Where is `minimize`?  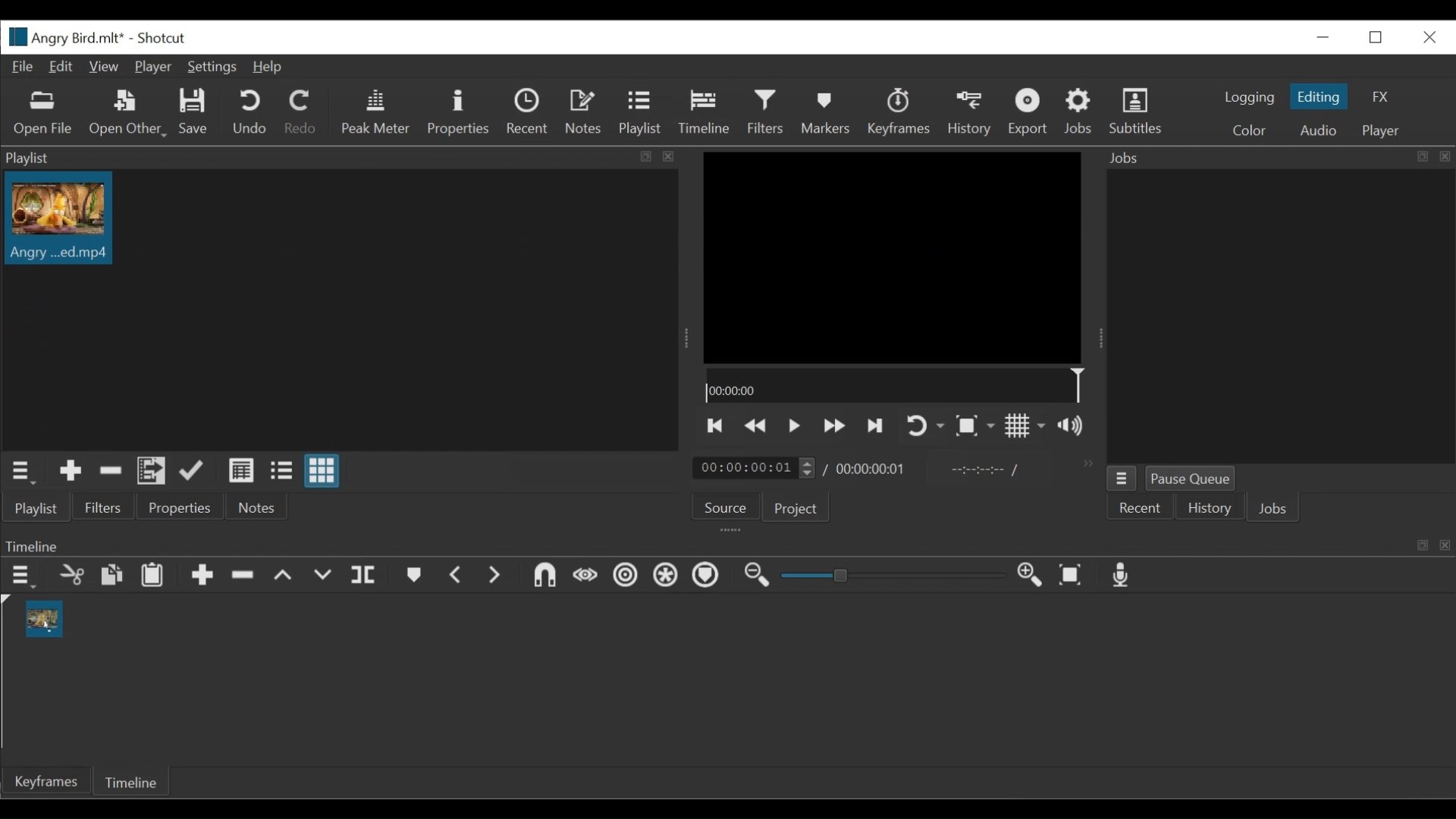
minimize is located at coordinates (1325, 36).